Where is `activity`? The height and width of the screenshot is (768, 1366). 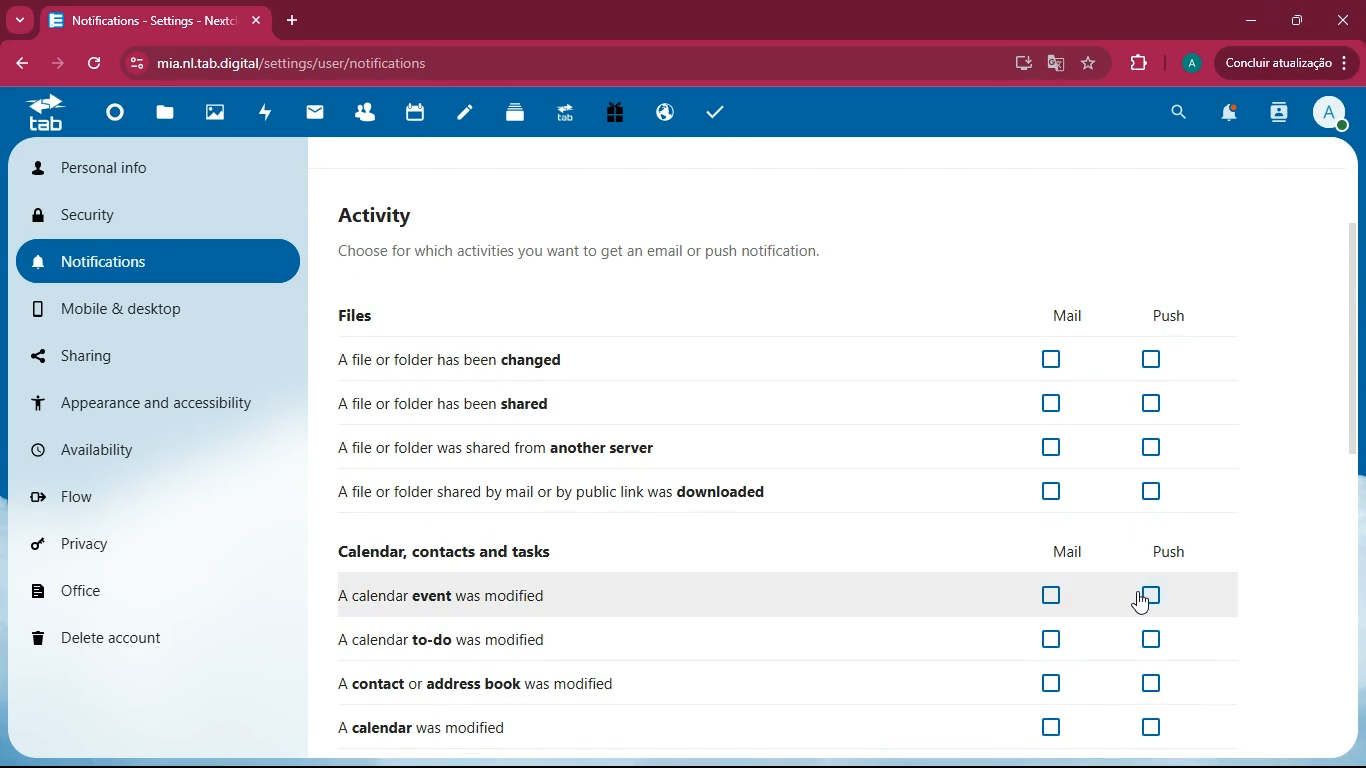
activity is located at coordinates (266, 118).